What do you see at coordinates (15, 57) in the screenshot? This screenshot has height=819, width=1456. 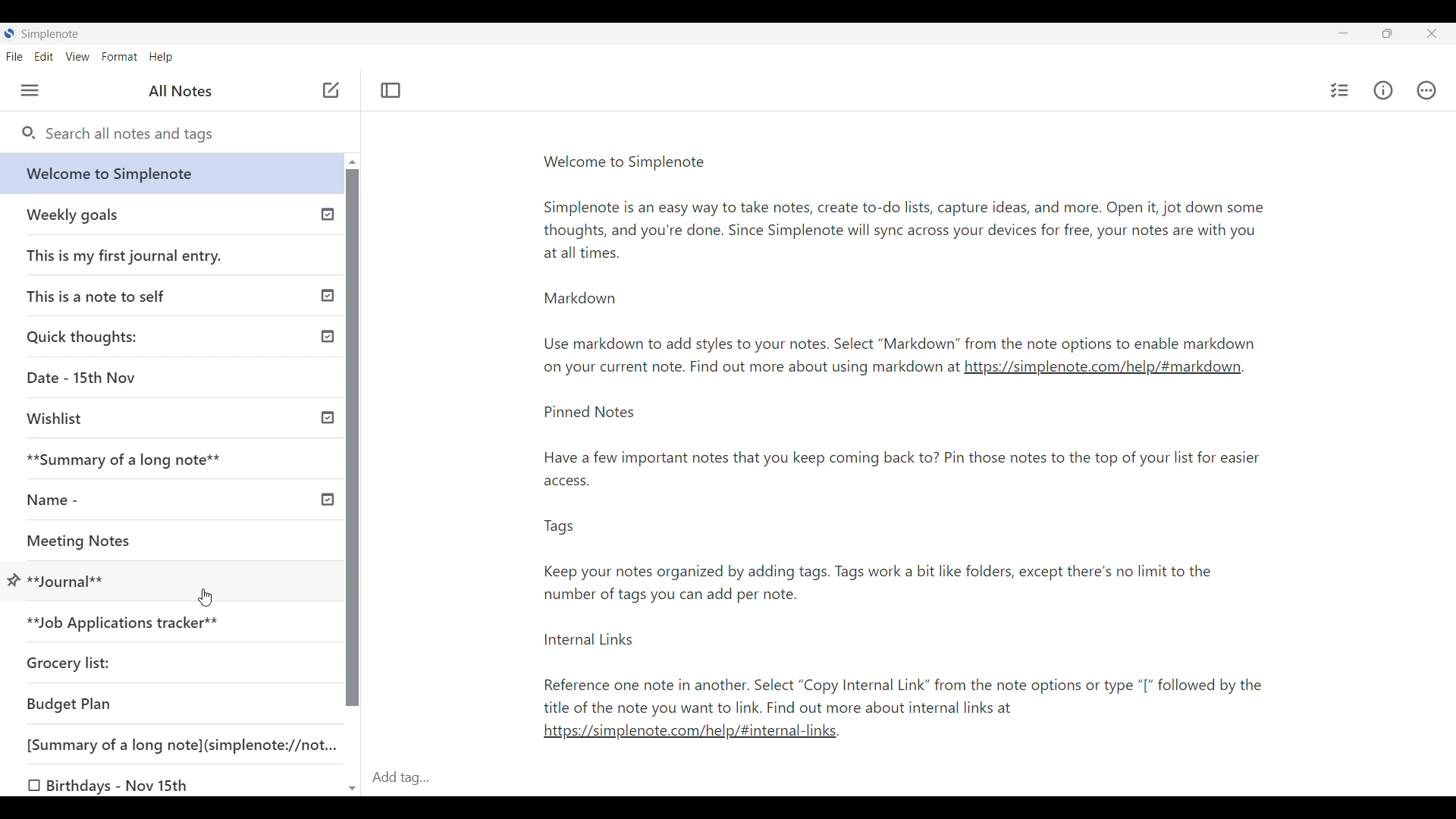 I see `File menu` at bounding box center [15, 57].